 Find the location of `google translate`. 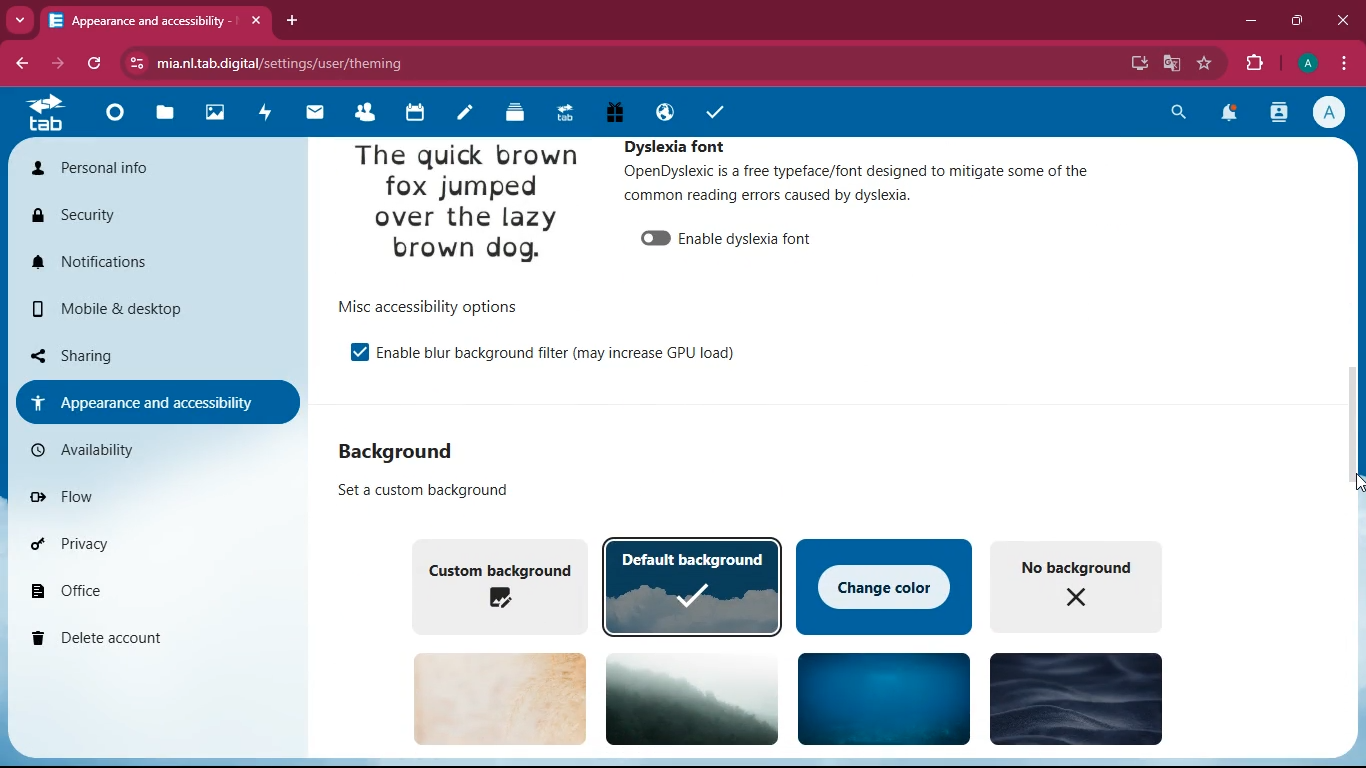

google translate is located at coordinates (1171, 61).